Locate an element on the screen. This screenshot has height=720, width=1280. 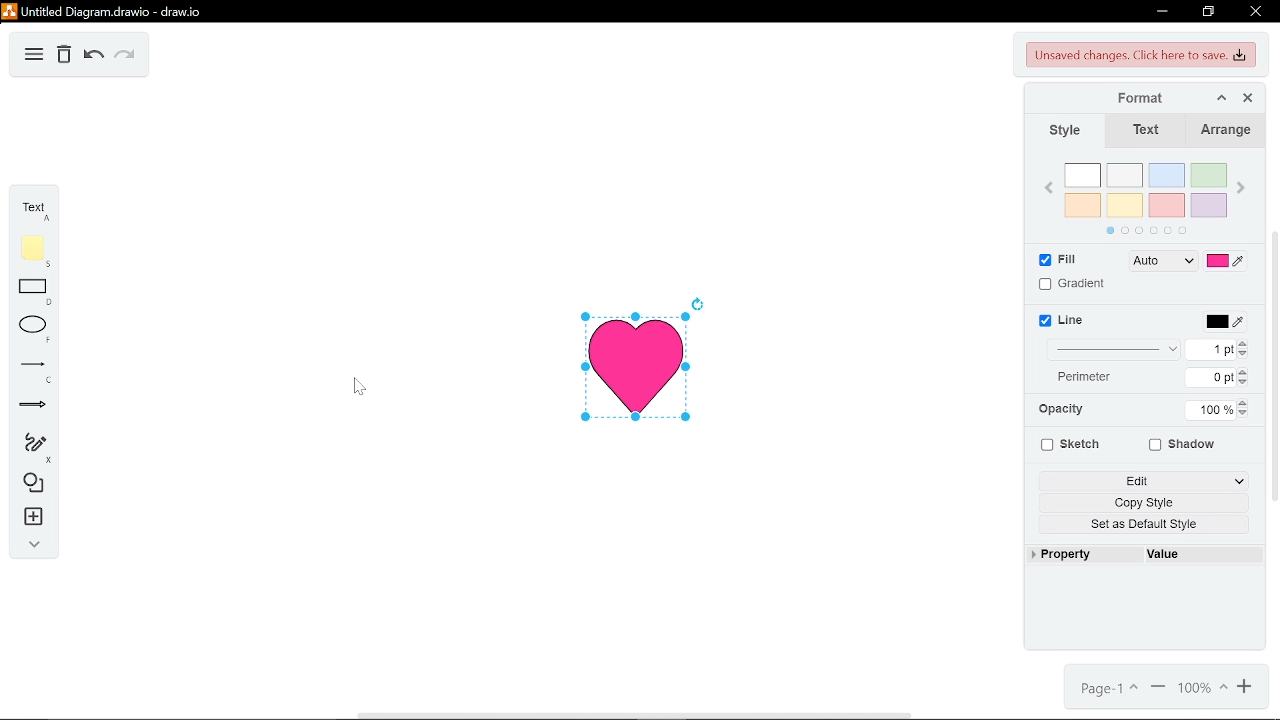
close is located at coordinates (1248, 98).